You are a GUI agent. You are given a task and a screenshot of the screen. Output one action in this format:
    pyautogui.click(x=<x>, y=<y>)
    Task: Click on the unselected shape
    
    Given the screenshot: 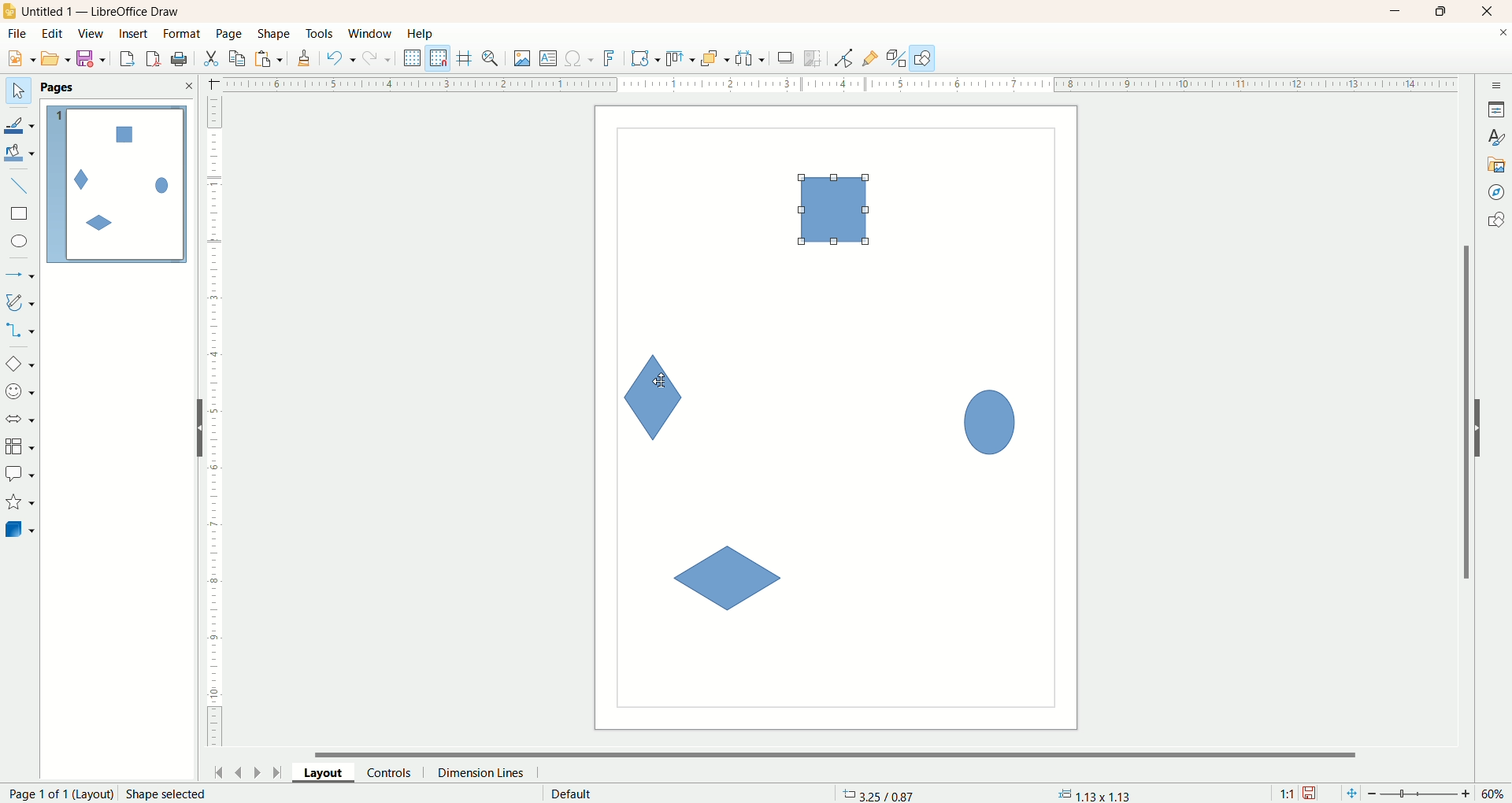 What is the action you would take?
    pyautogui.click(x=990, y=419)
    